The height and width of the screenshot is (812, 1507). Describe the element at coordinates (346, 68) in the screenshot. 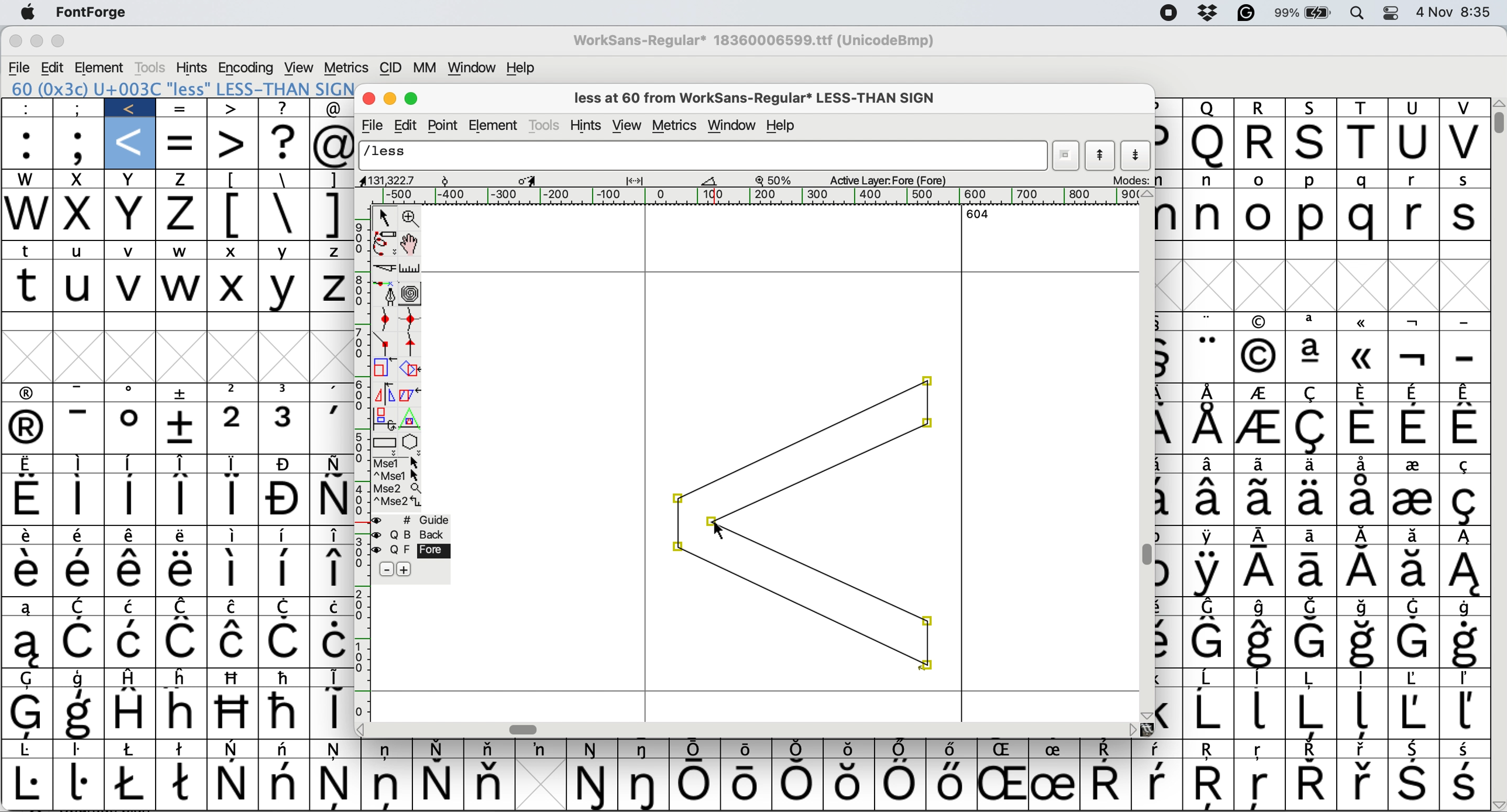

I see `metrics` at that location.